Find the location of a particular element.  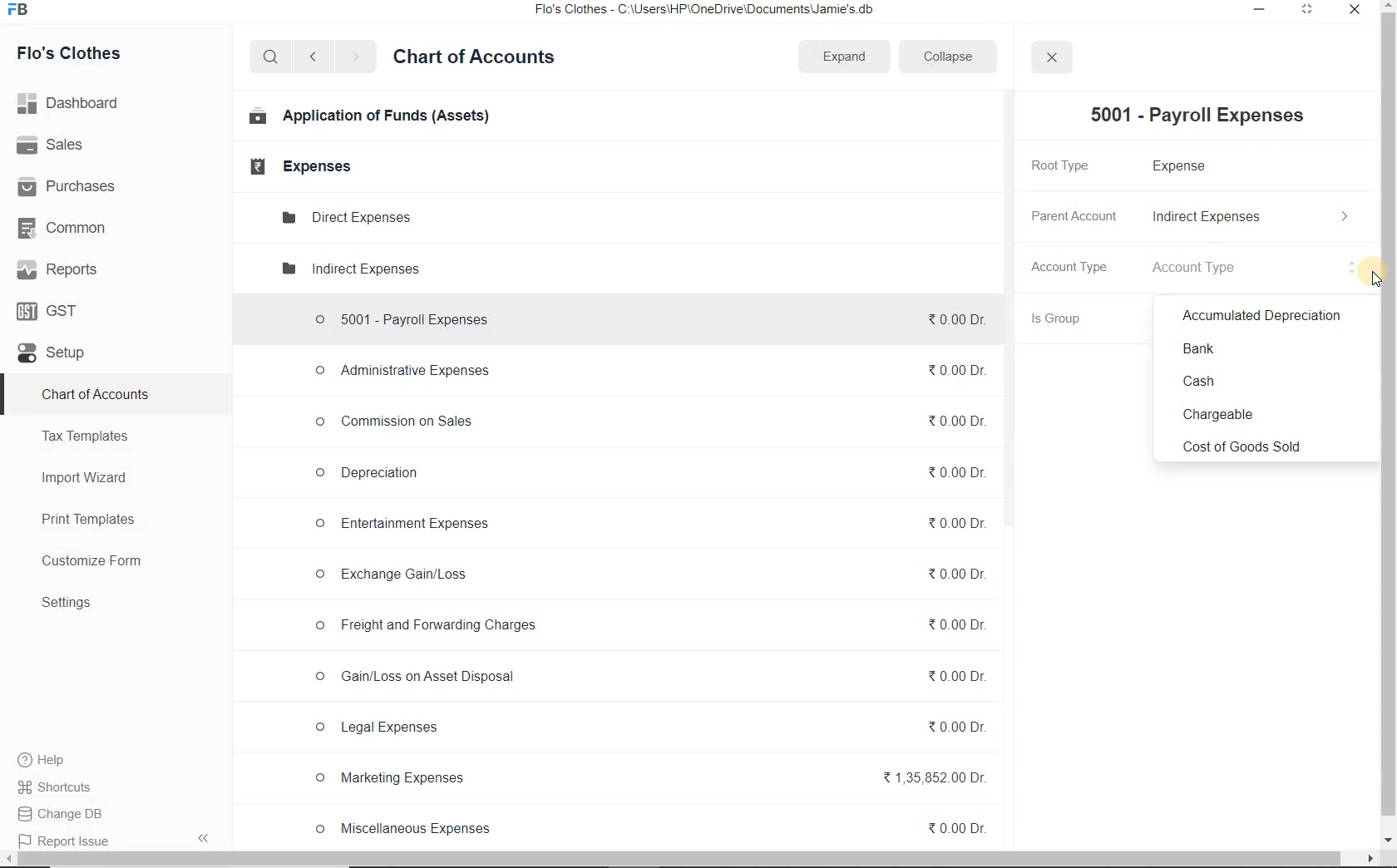

Accumulated Depreciation is located at coordinates (1263, 316).